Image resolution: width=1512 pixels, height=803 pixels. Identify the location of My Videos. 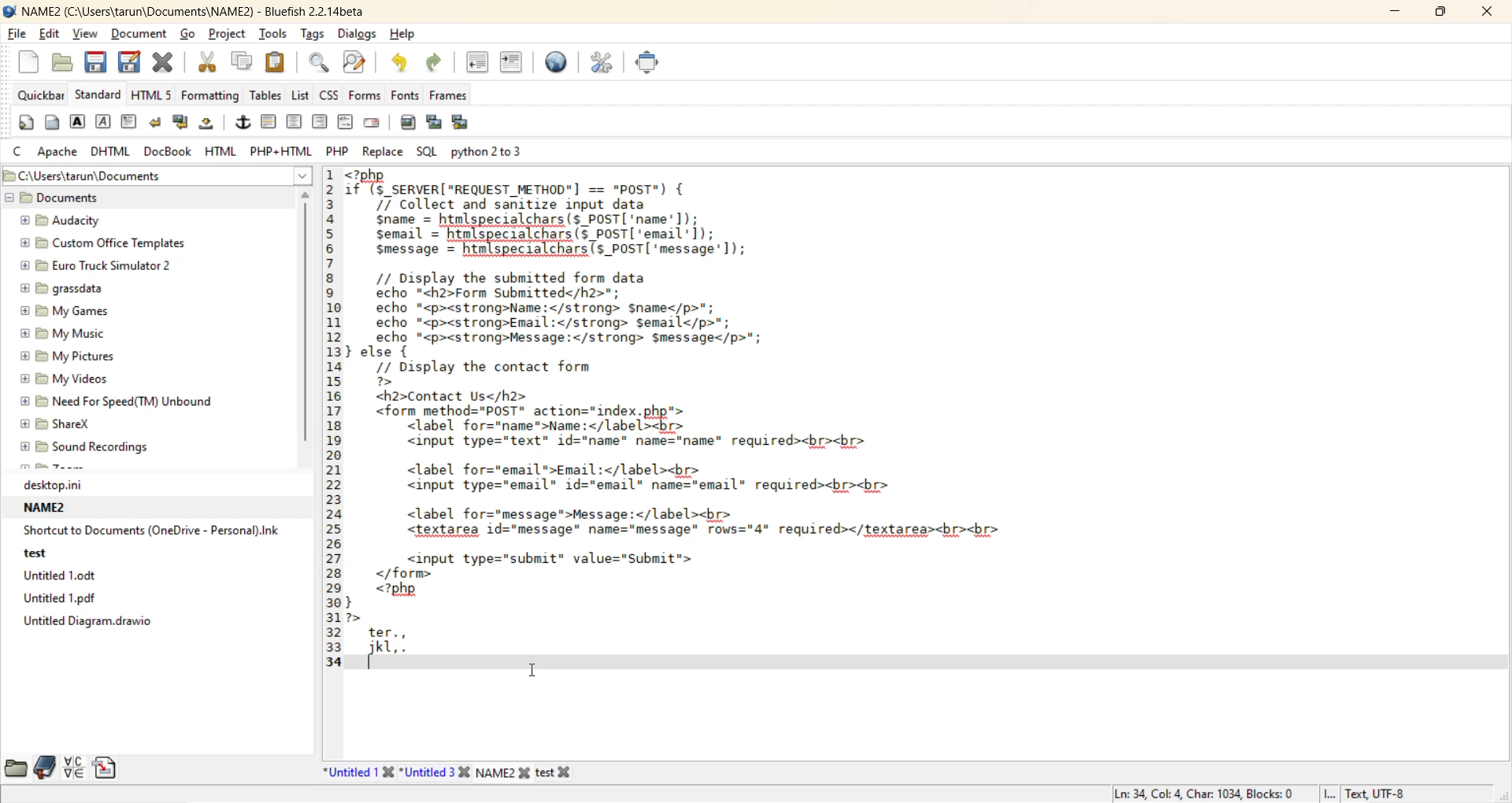
(77, 378).